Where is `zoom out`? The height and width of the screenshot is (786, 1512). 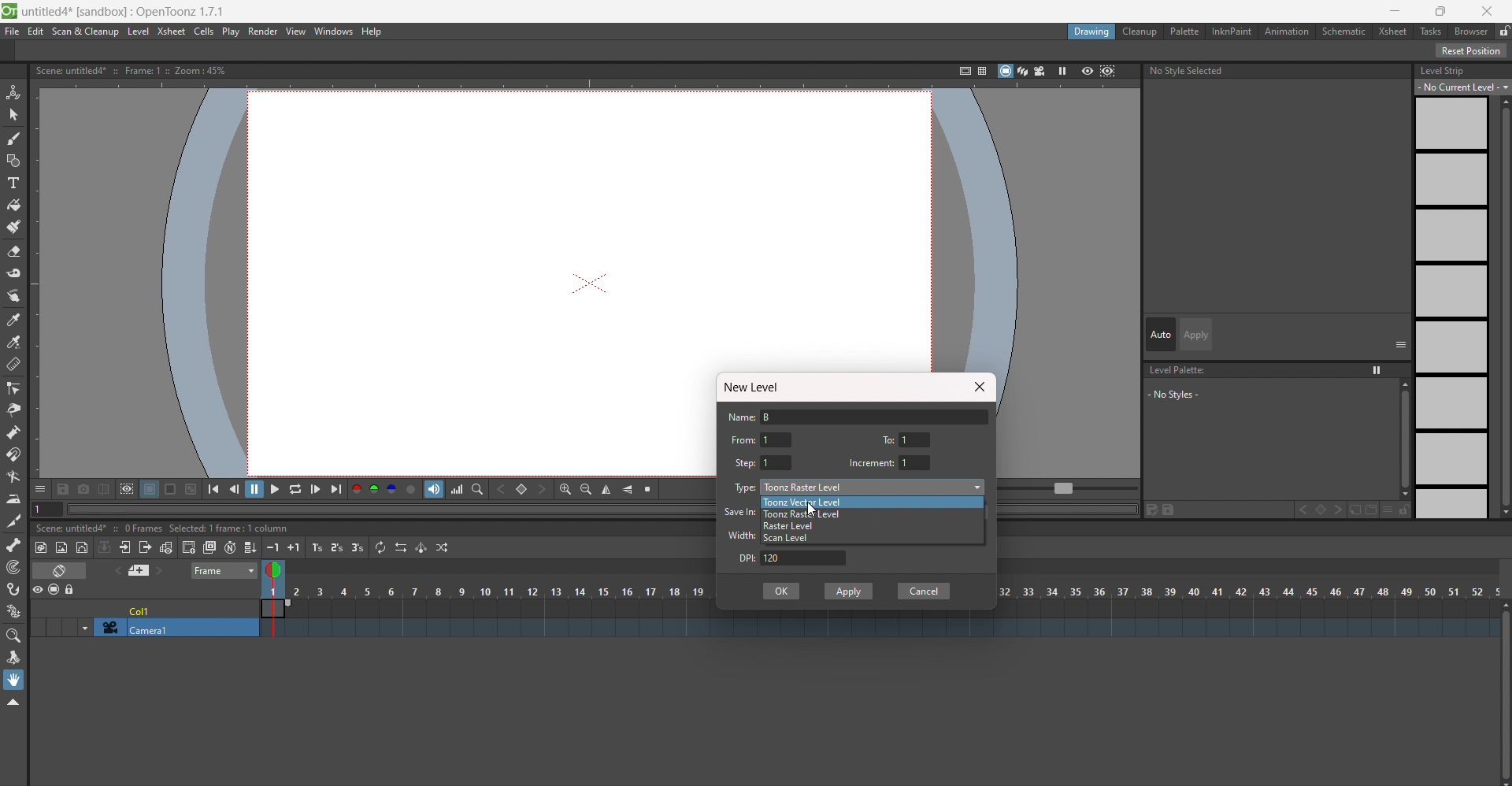
zoom out is located at coordinates (586, 489).